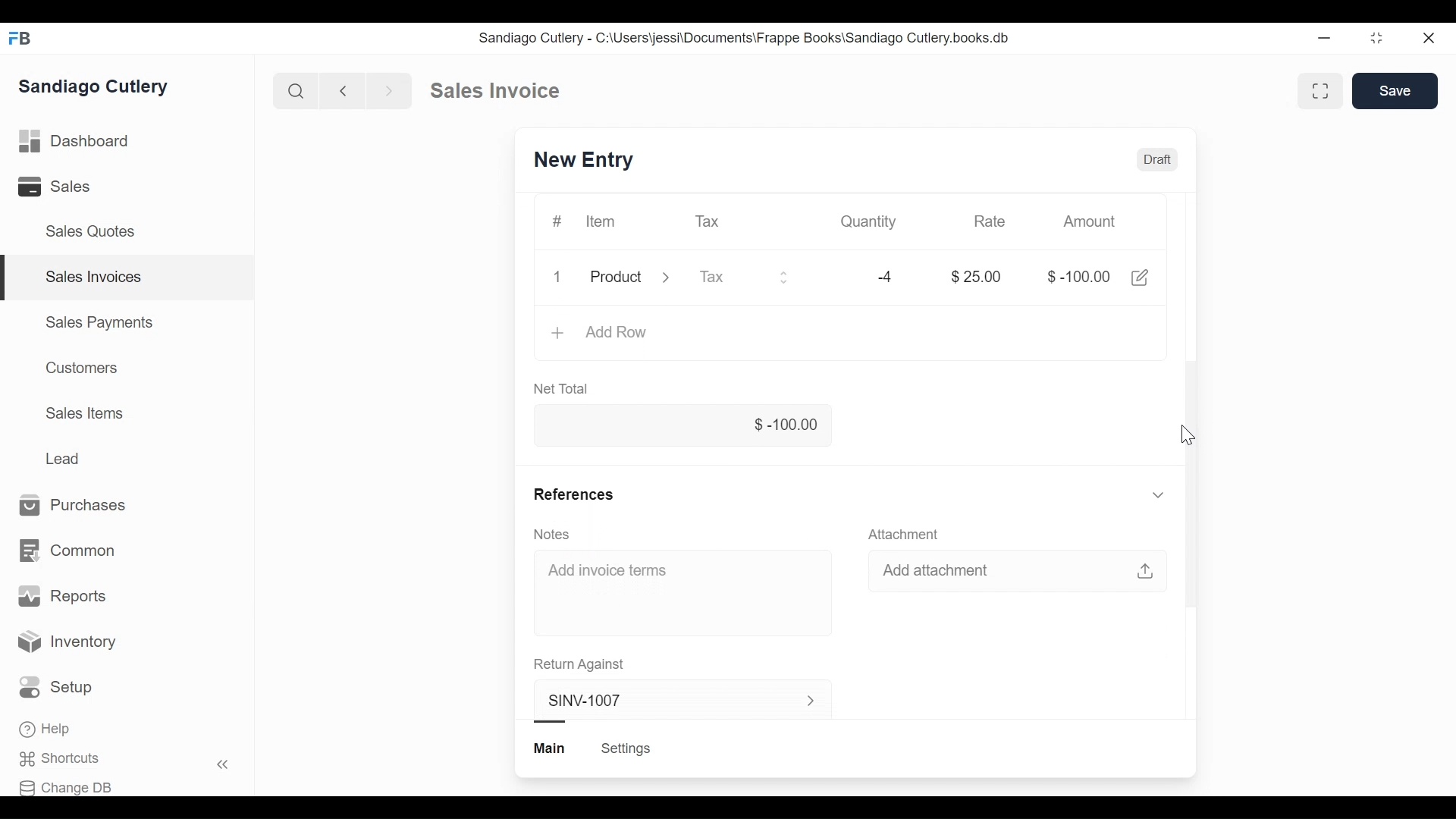  Describe the element at coordinates (1377, 39) in the screenshot. I see `Toggle between form and full width` at that location.